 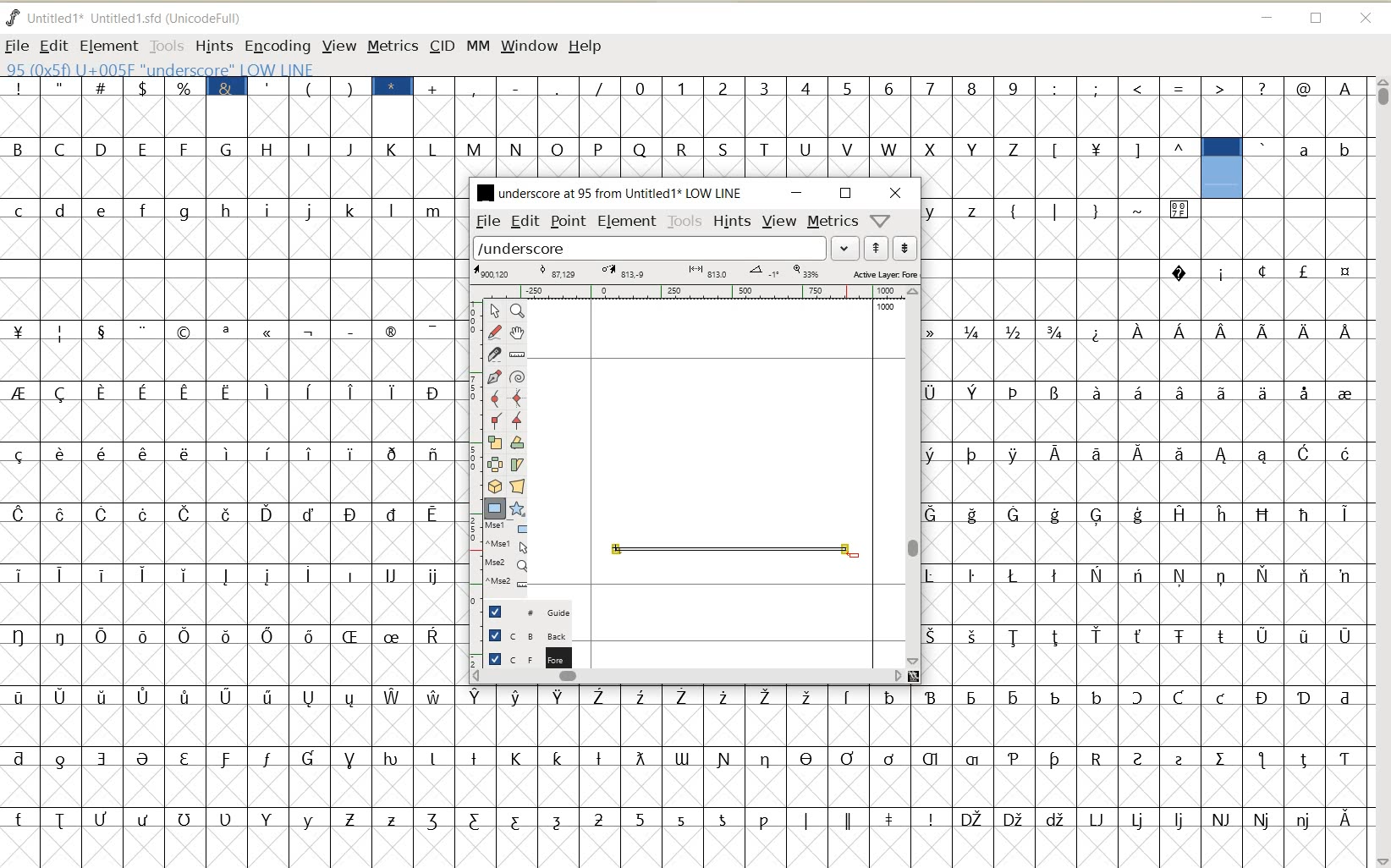 What do you see at coordinates (896, 193) in the screenshot?
I see `CLOSE` at bounding box center [896, 193].